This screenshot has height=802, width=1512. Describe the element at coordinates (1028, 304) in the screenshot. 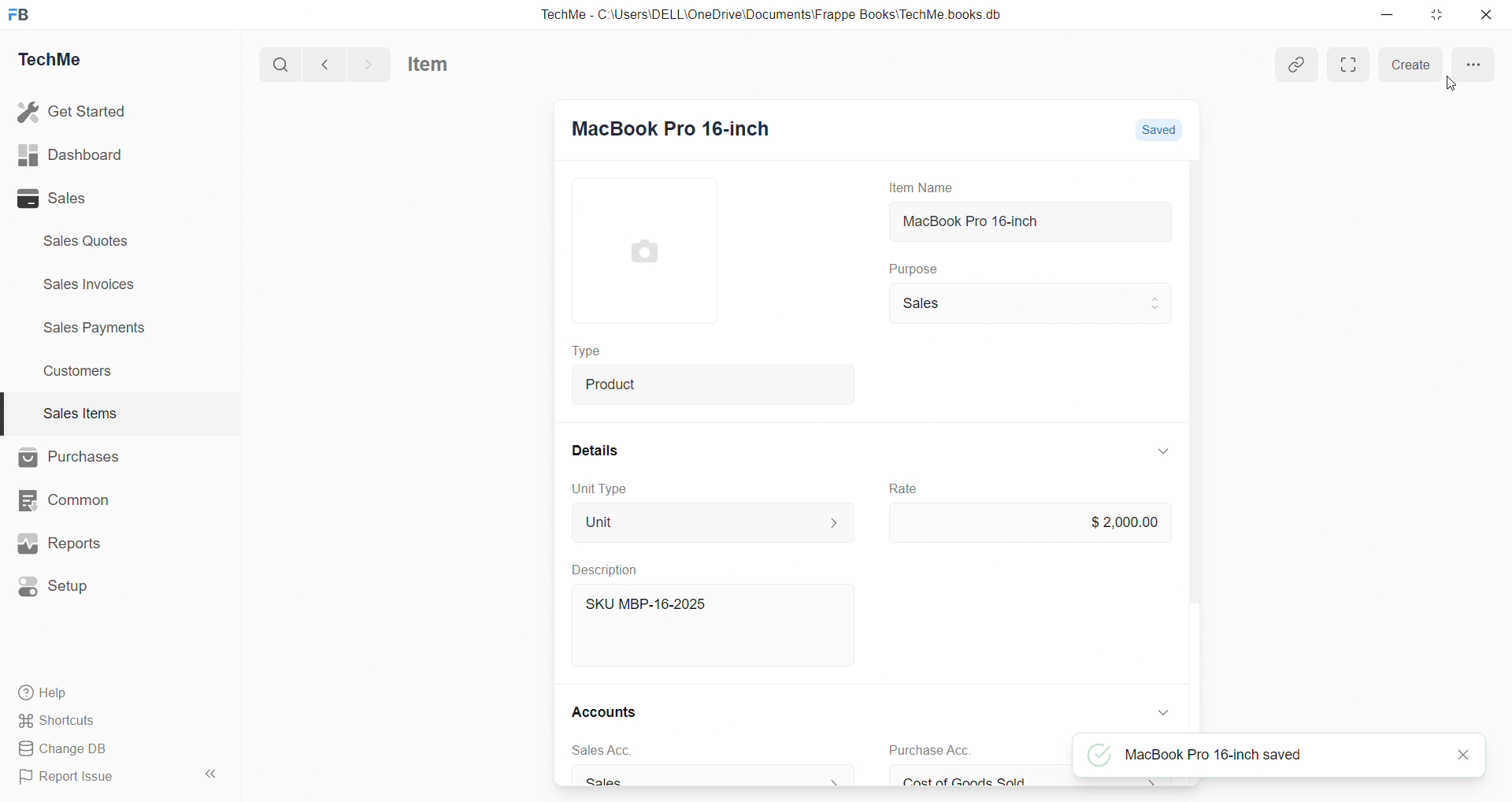

I see `Sales` at that location.